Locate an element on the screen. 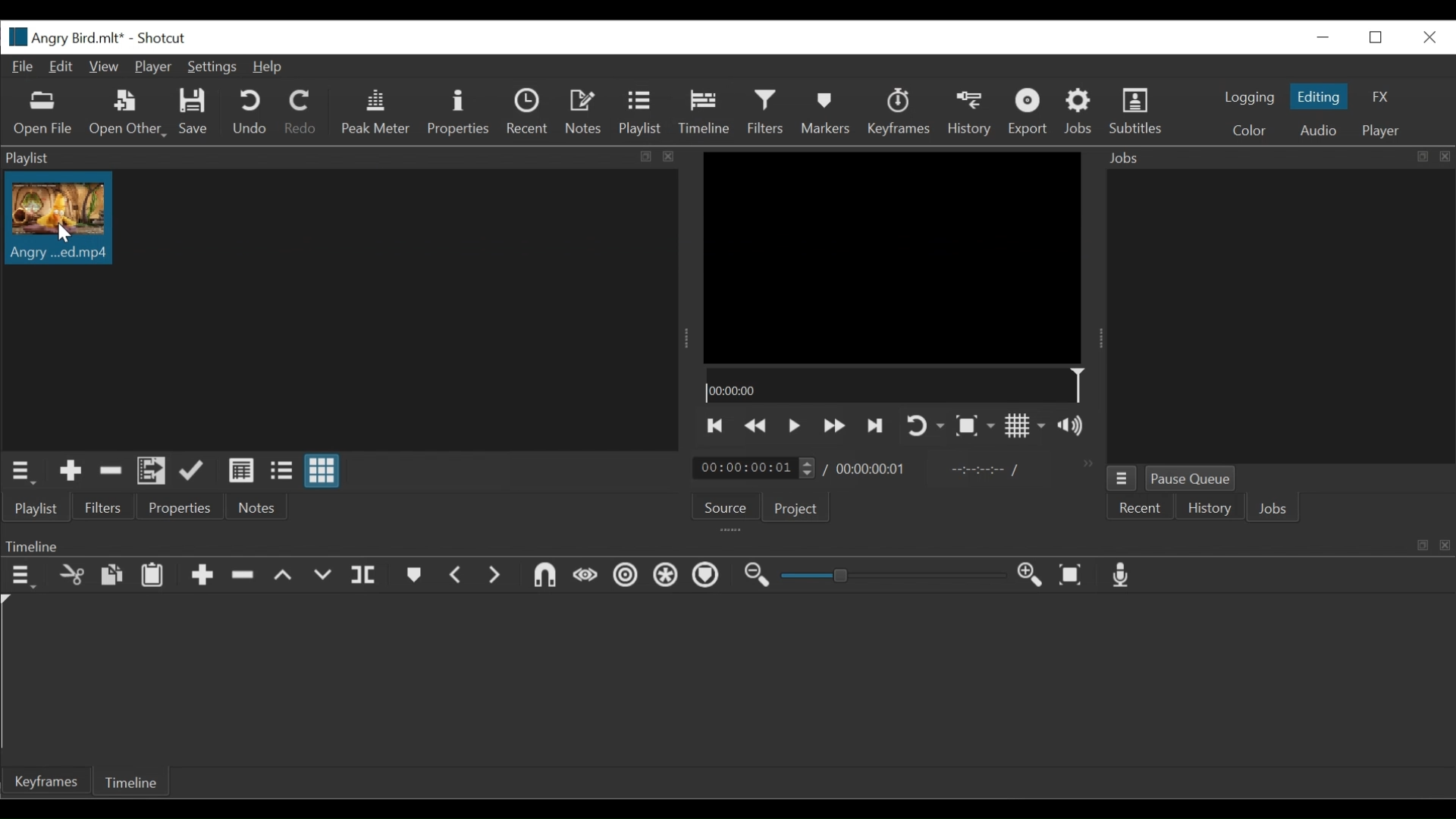 This screenshot has height=819, width=1456. Copy is located at coordinates (111, 574).